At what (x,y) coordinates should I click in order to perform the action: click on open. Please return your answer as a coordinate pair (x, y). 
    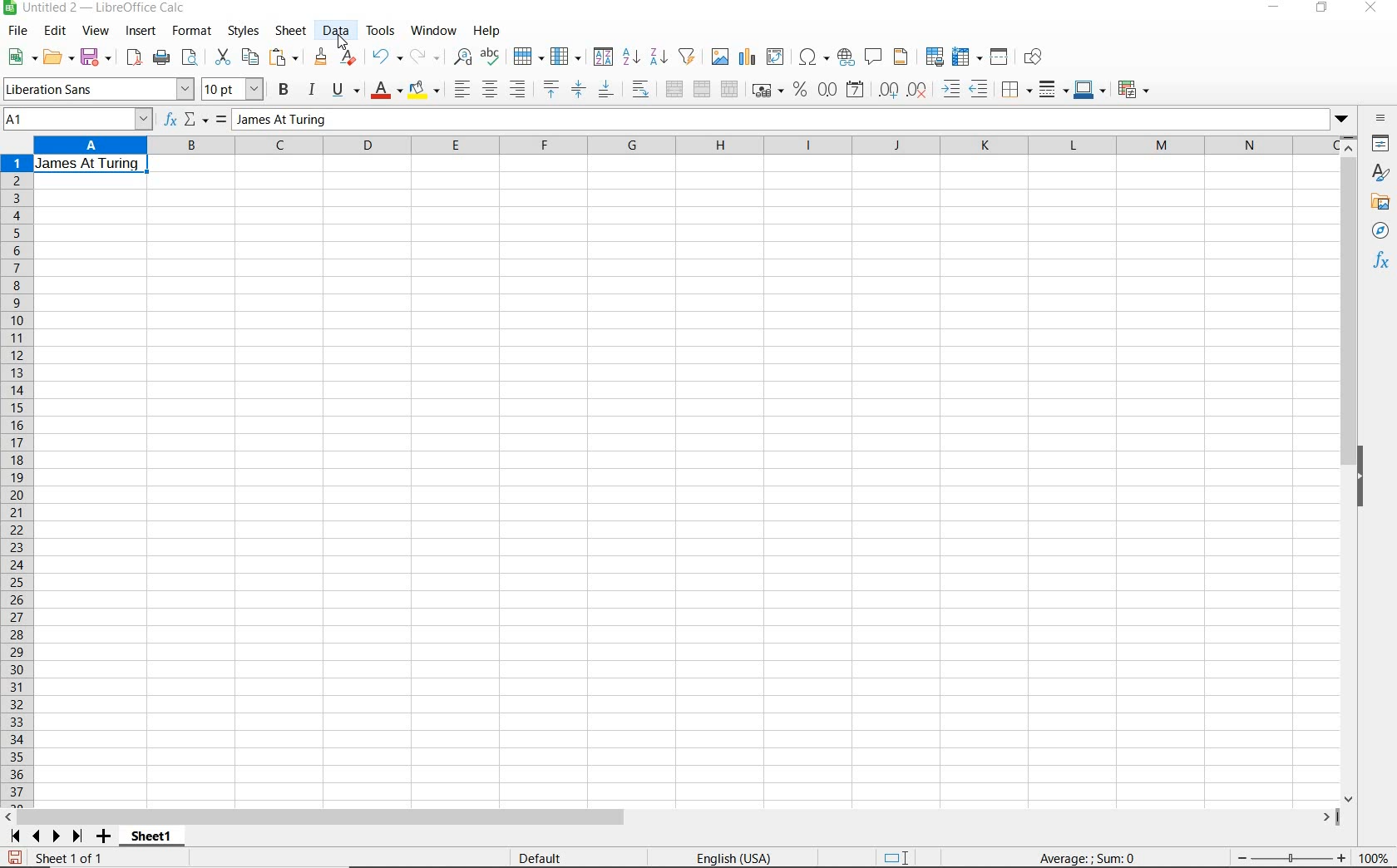
    Looking at the image, I should click on (58, 57).